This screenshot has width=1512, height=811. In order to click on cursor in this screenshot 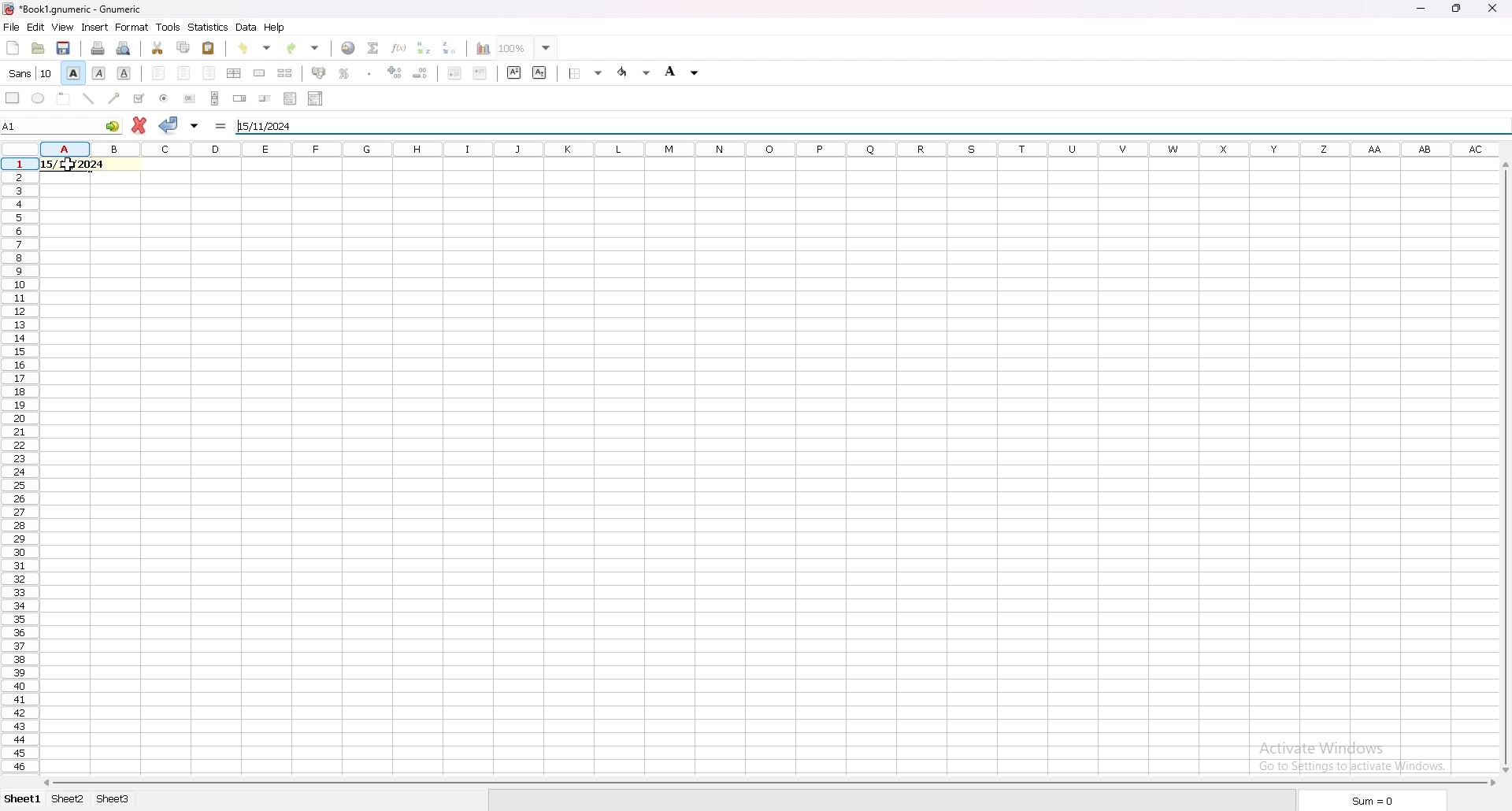, I will do `click(64, 168)`.